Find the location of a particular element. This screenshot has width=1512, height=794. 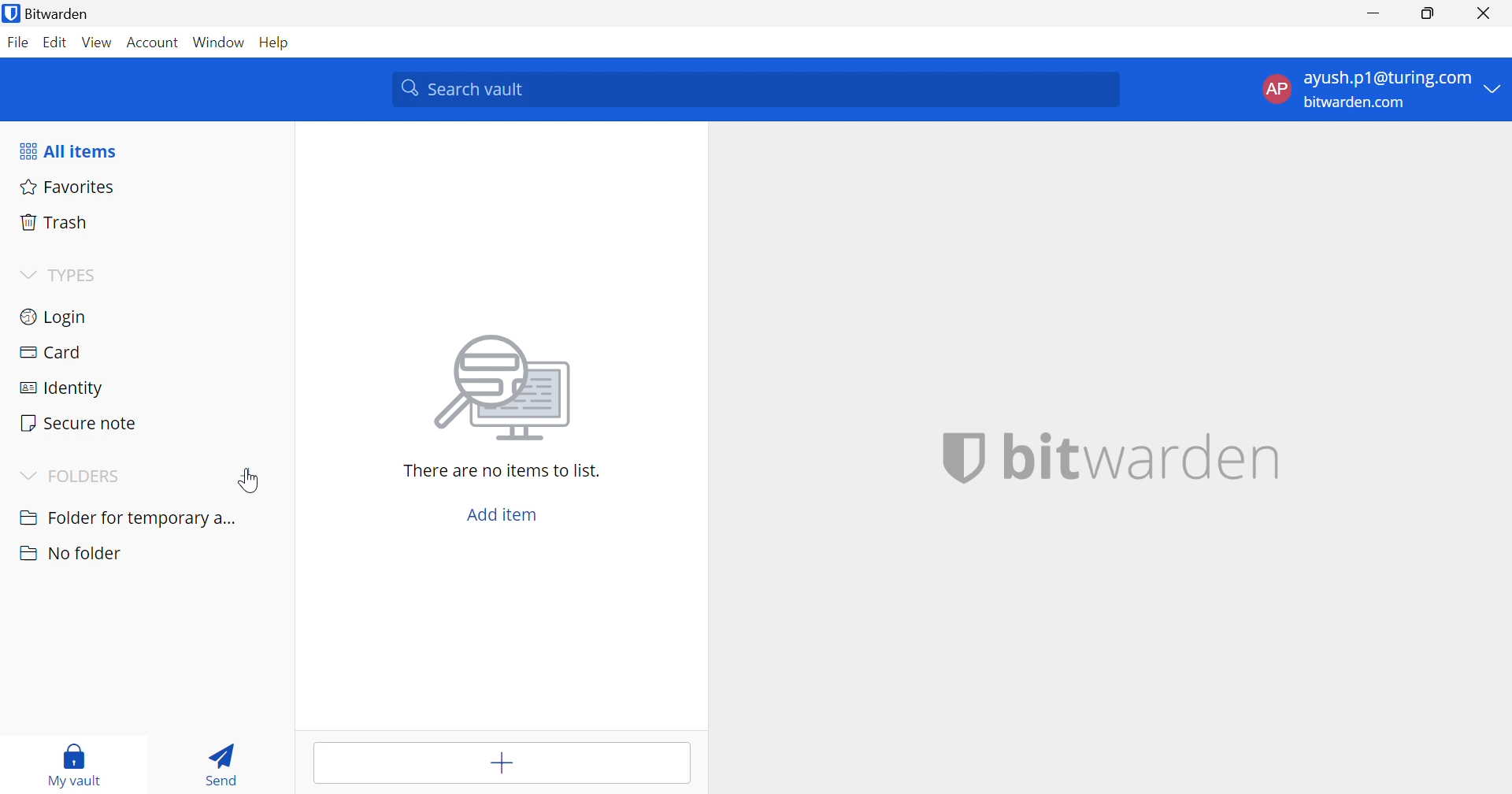

Restore Down is located at coordinates (1429, 13).